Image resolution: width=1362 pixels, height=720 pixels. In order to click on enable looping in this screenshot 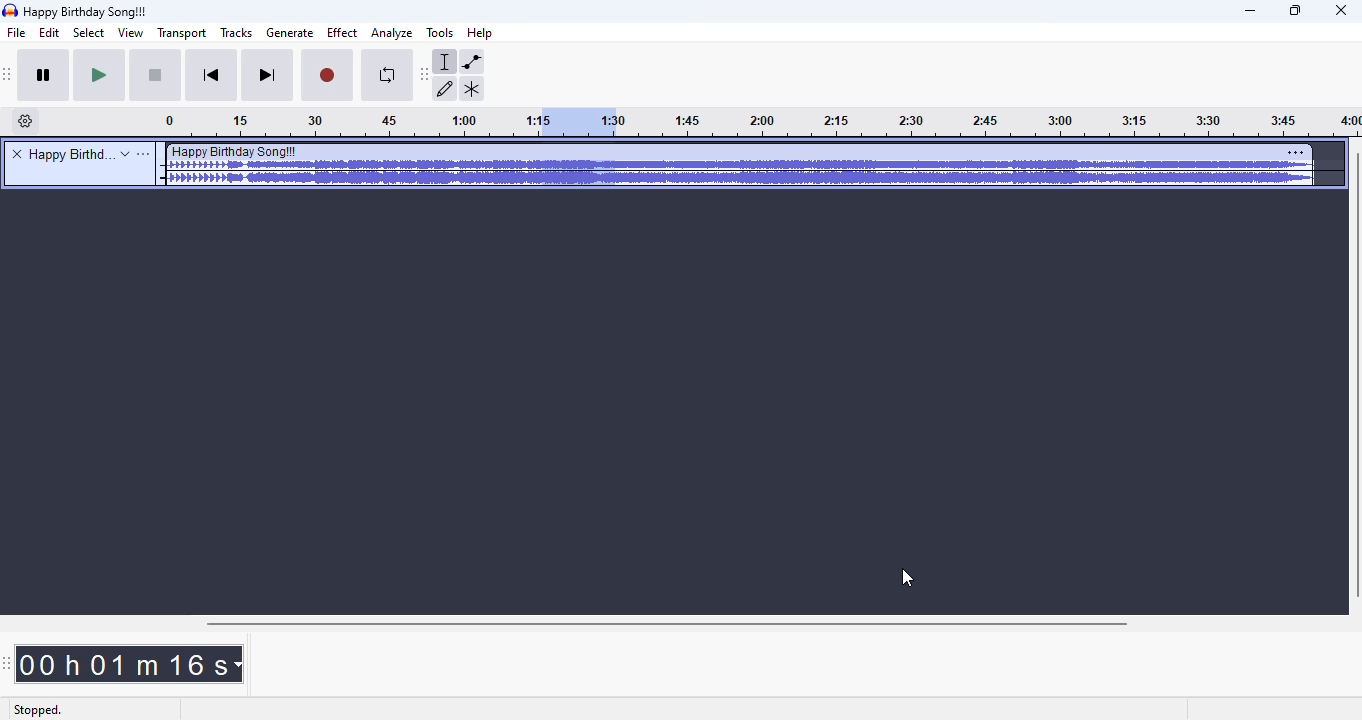, I will do `click(384, 77)`.